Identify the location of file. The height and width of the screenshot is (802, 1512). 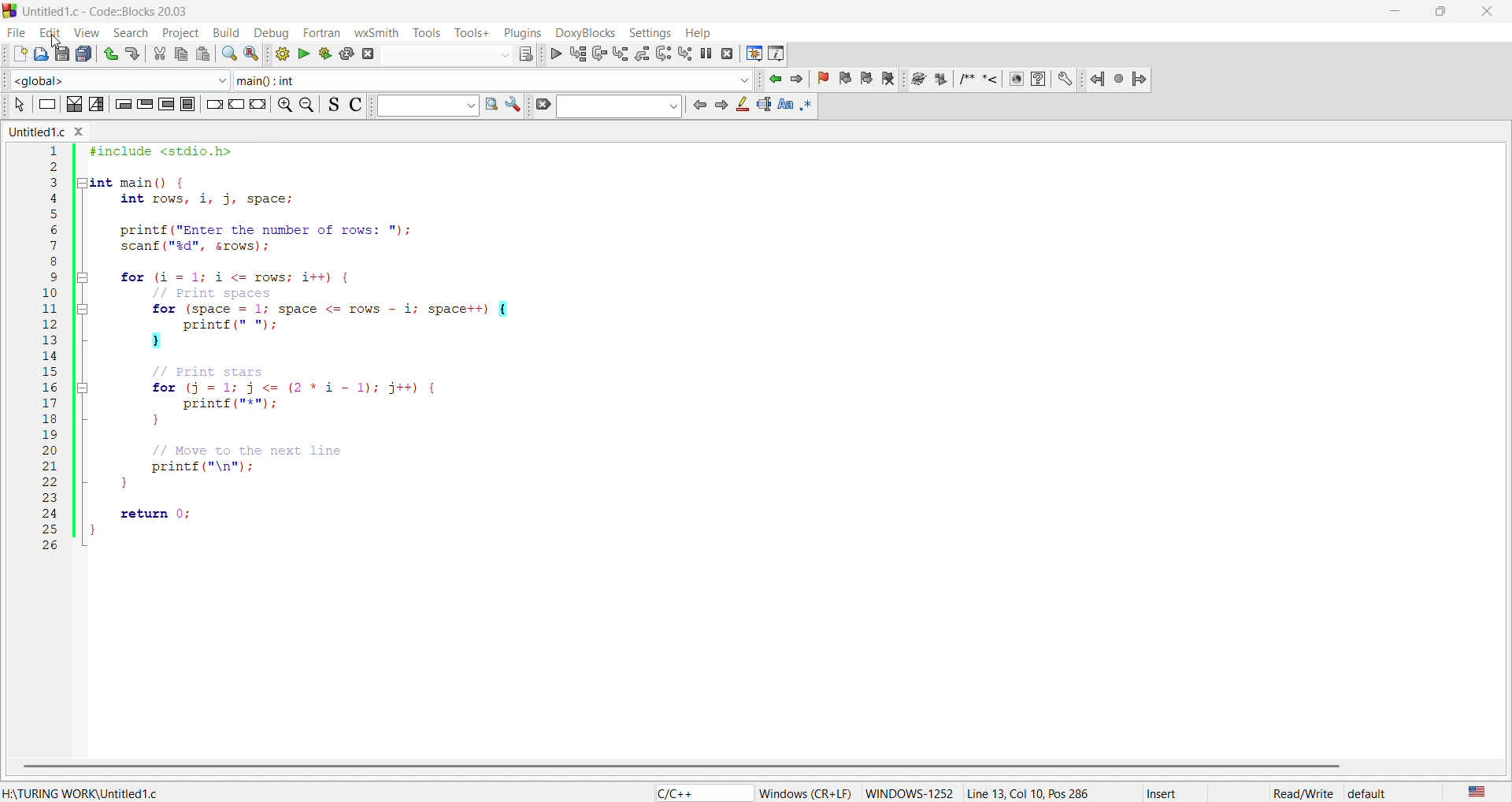
(14, 30).